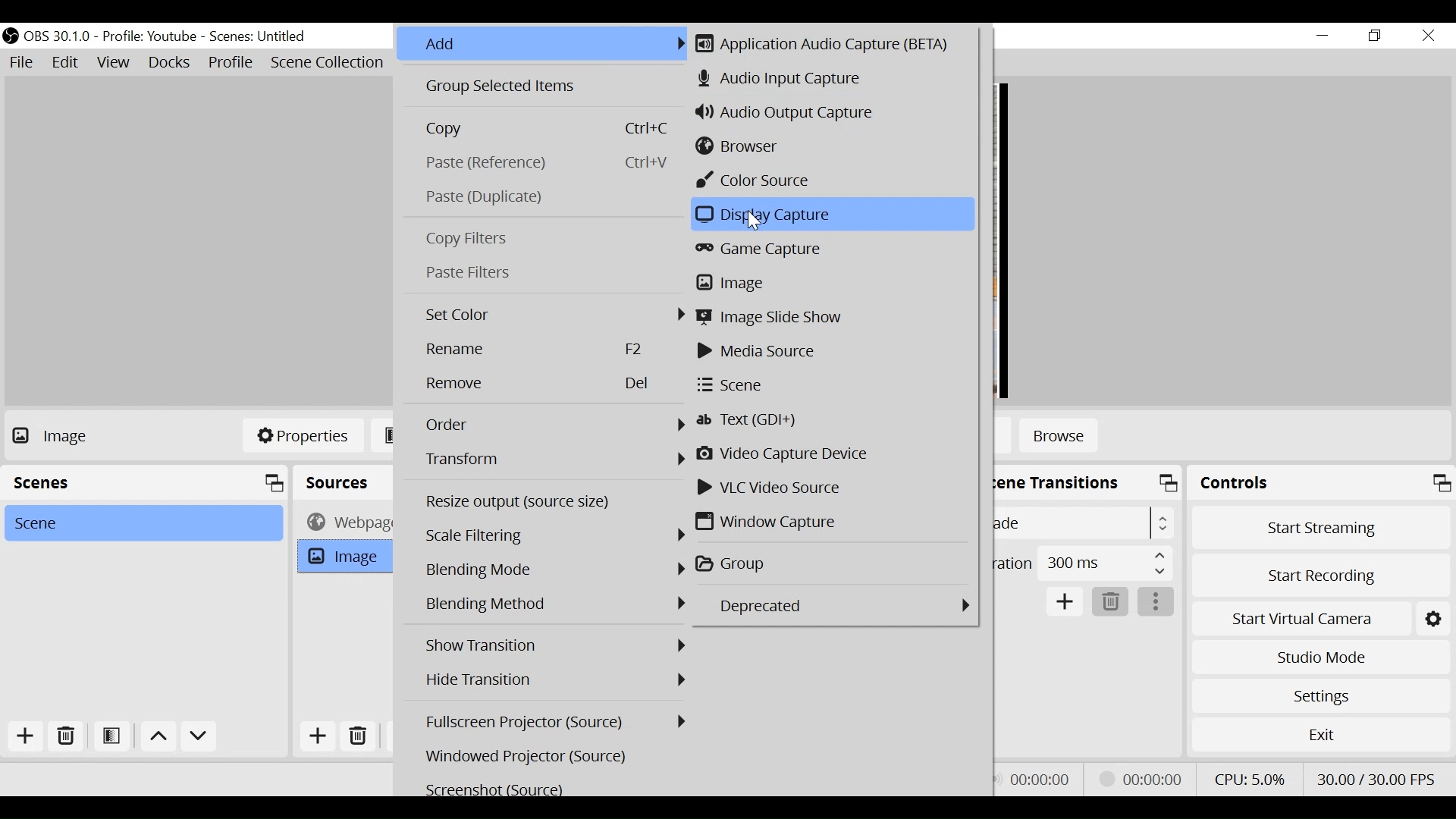  I want to click on Fullscreen Projector(Source, so click(556, 721).